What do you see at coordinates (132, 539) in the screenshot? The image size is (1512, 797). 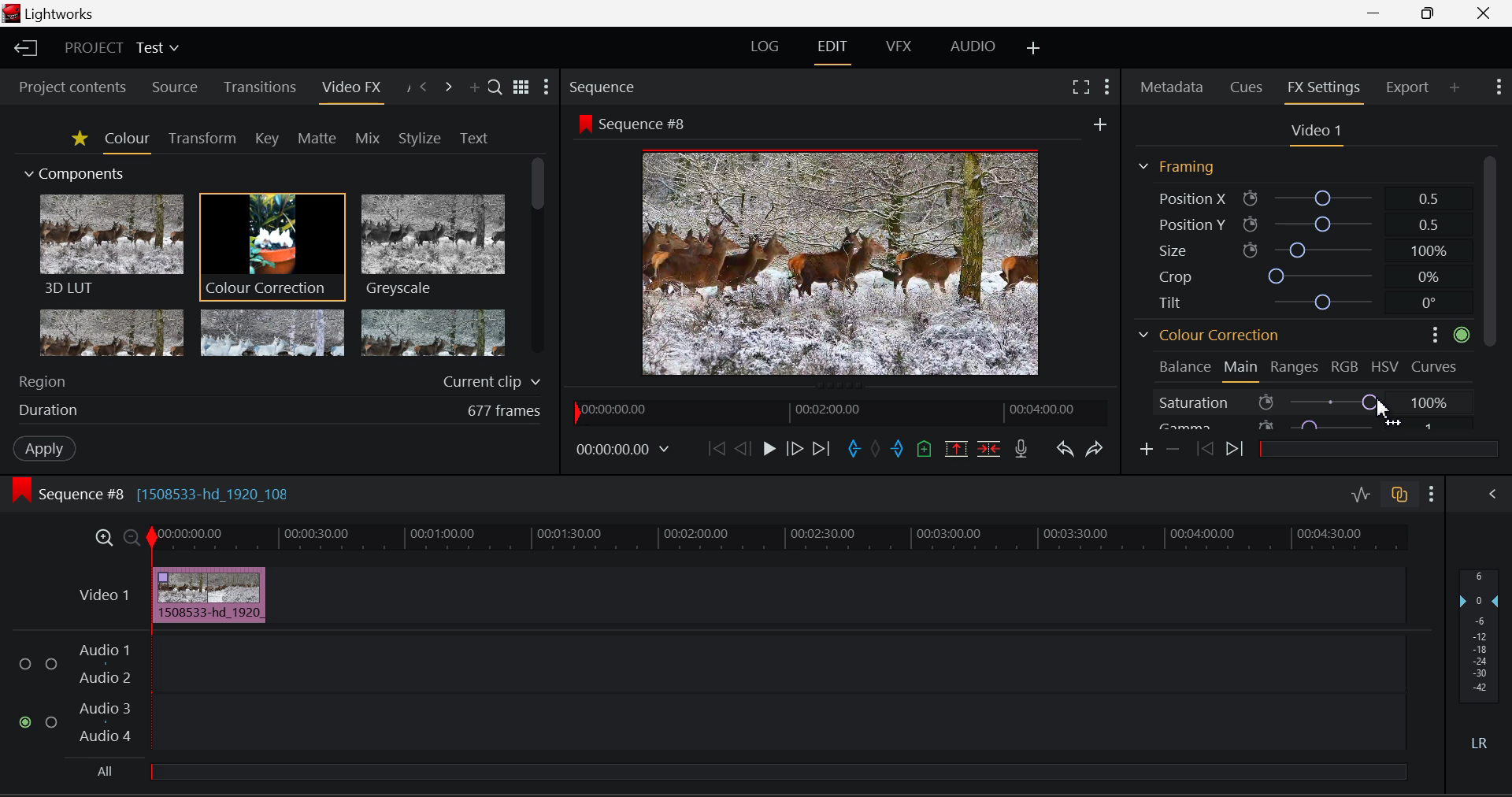 I see `Timeline Zoom Out` at bounding box center [132, 539].